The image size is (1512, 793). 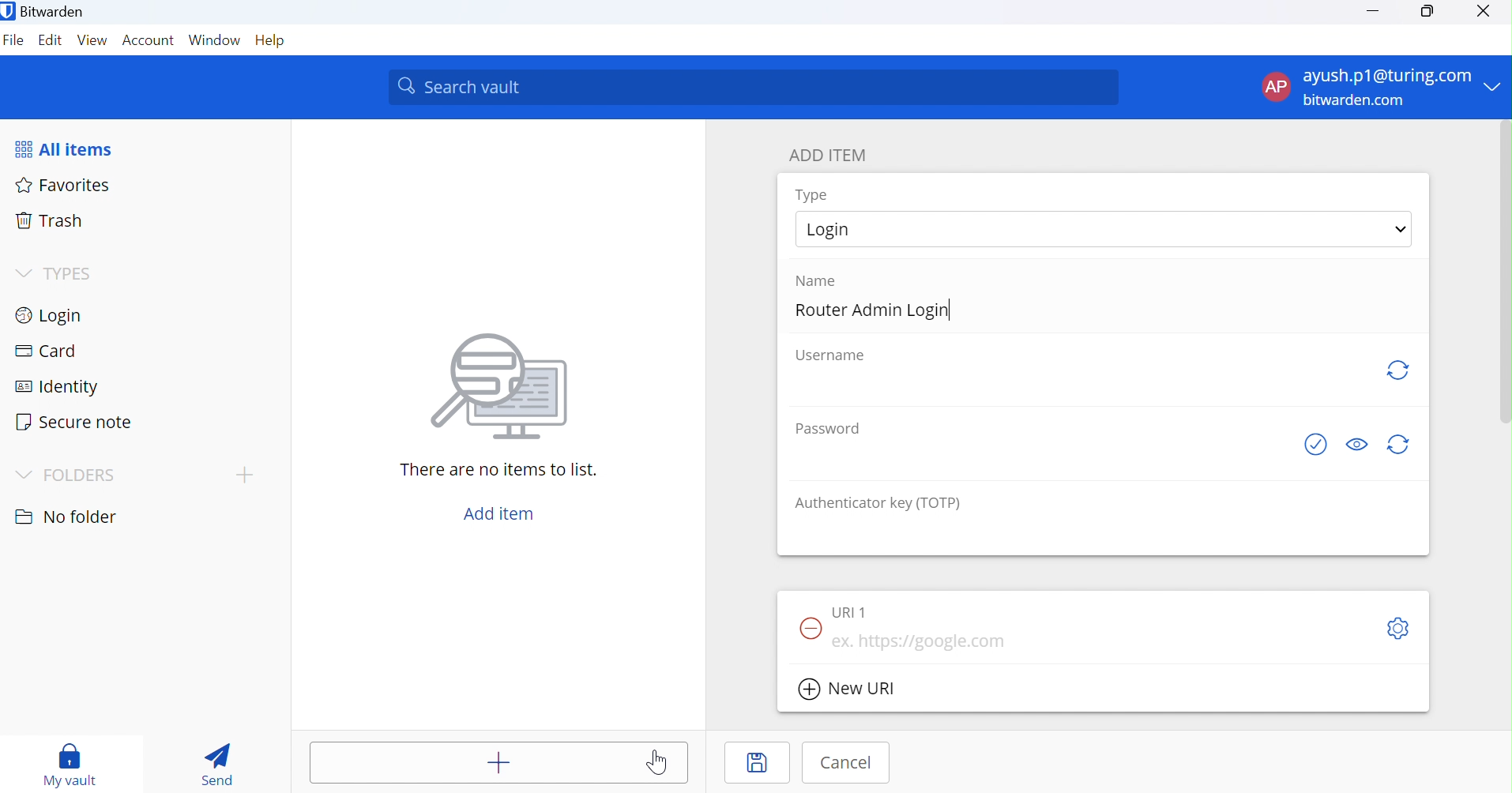 I want to click on All items, so click(x=74, y=147).